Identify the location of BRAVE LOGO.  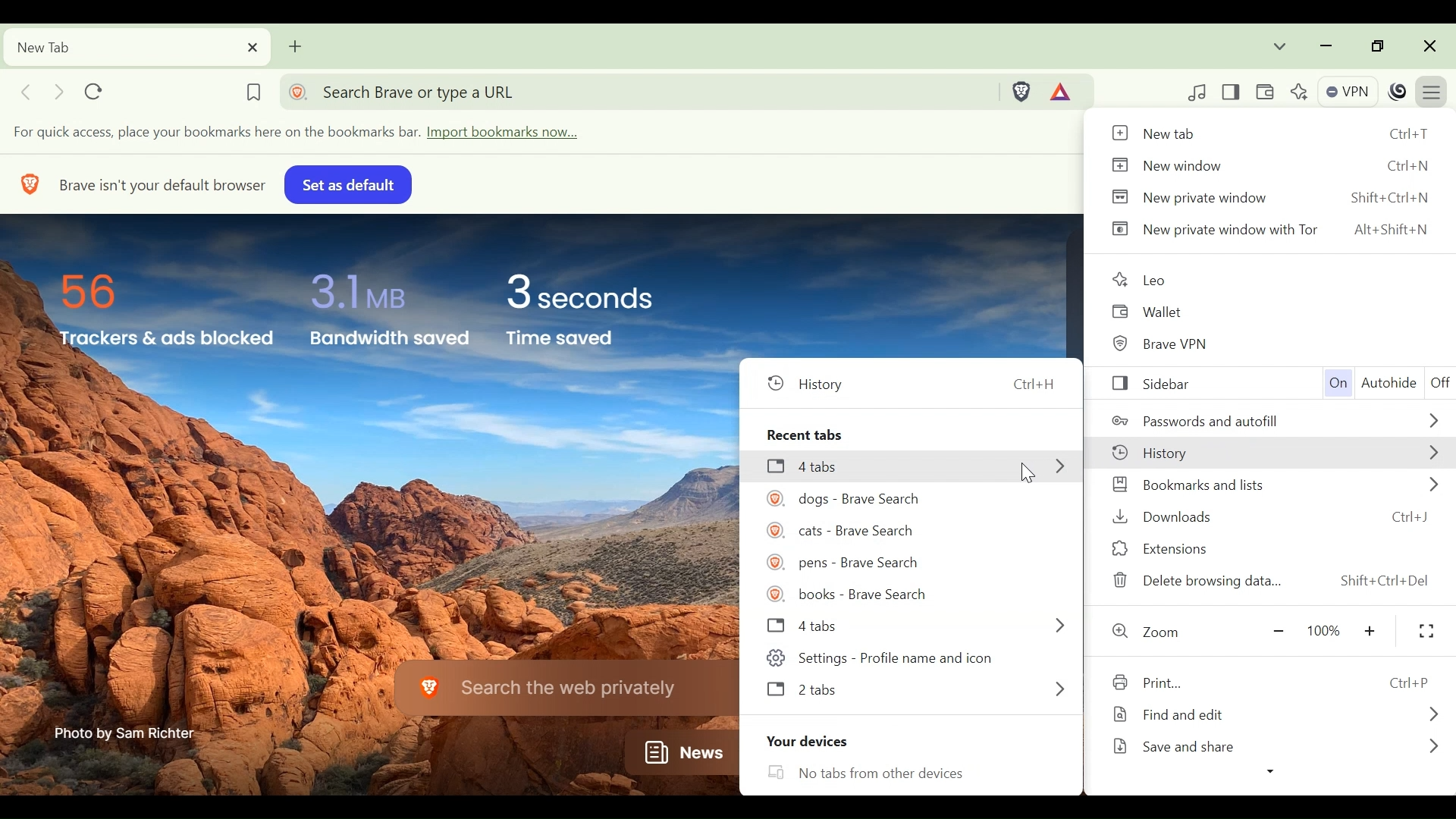
(27, 183).